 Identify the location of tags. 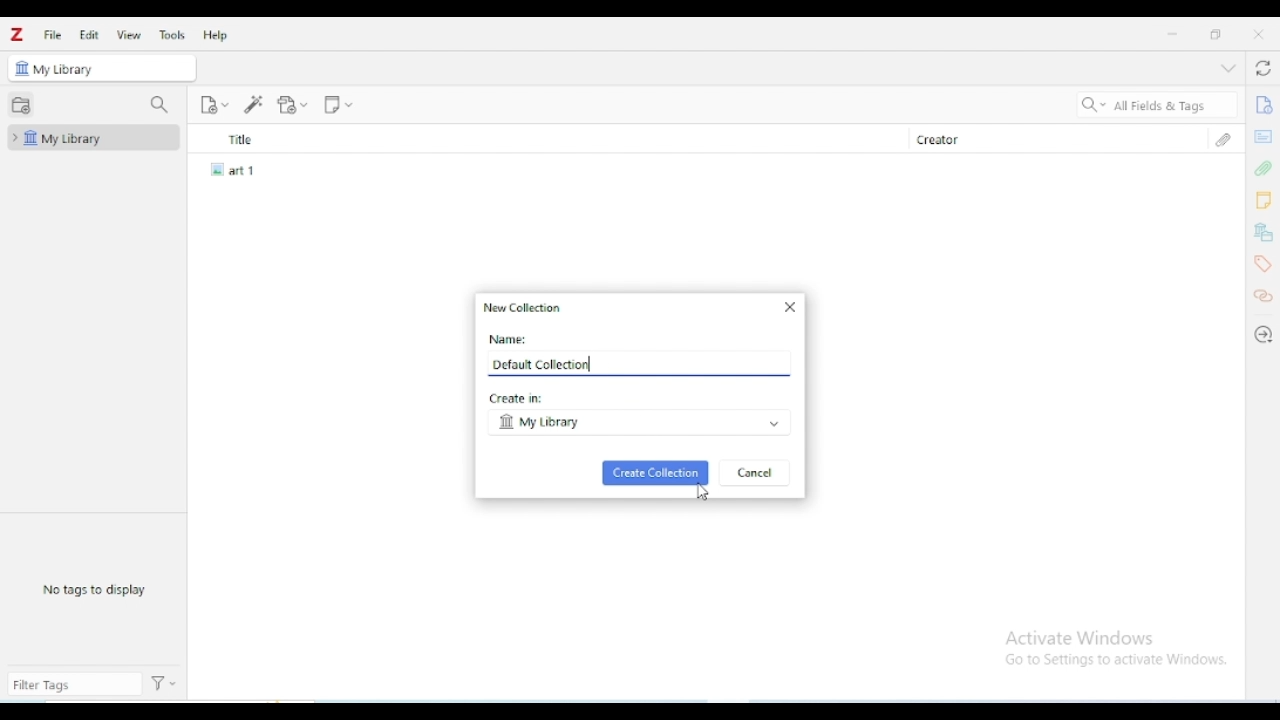
(1263, 264).